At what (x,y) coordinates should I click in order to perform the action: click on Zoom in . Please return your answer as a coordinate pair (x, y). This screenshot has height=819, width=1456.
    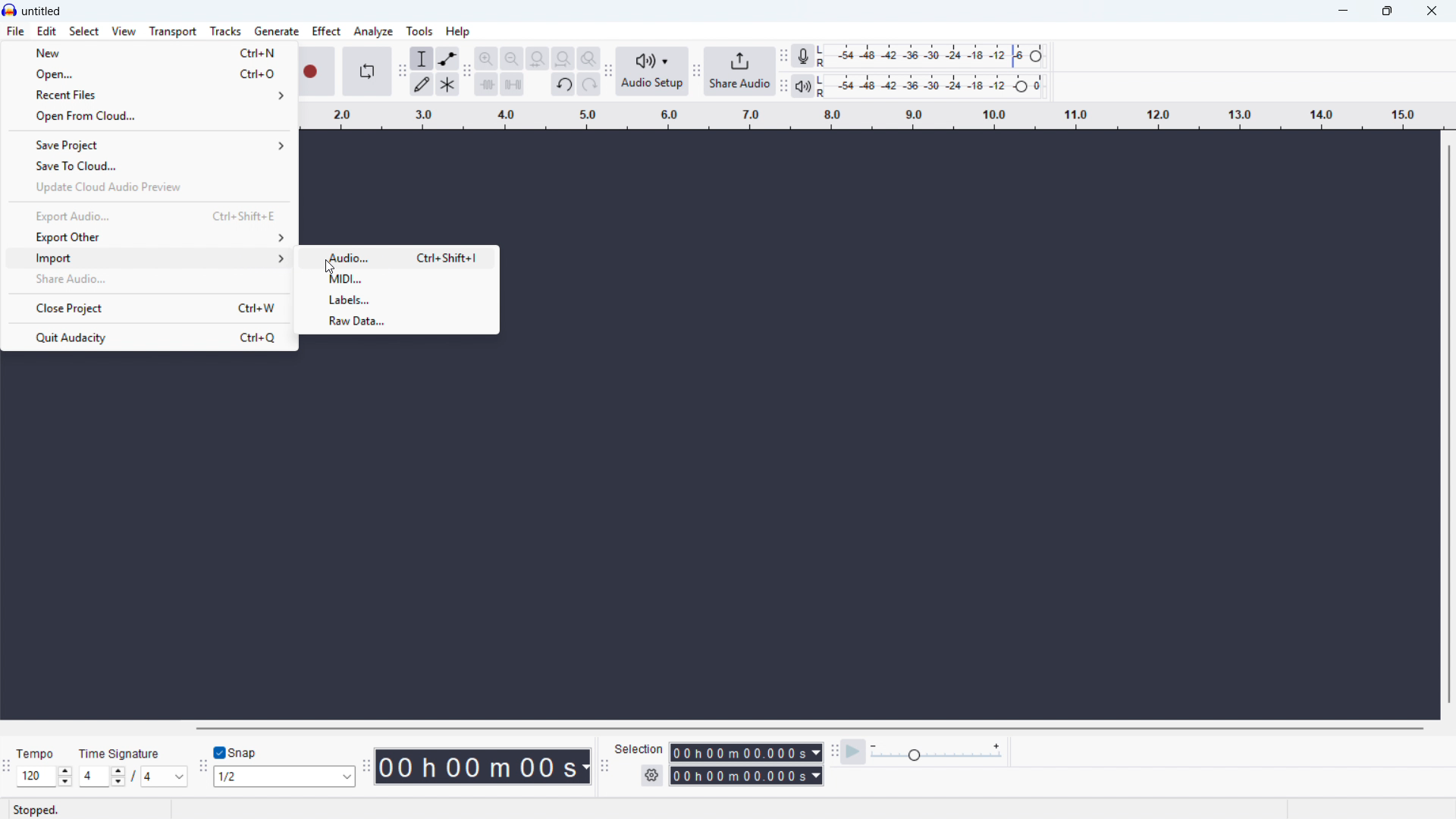
    Looking at the image, I should click on (487, 58).